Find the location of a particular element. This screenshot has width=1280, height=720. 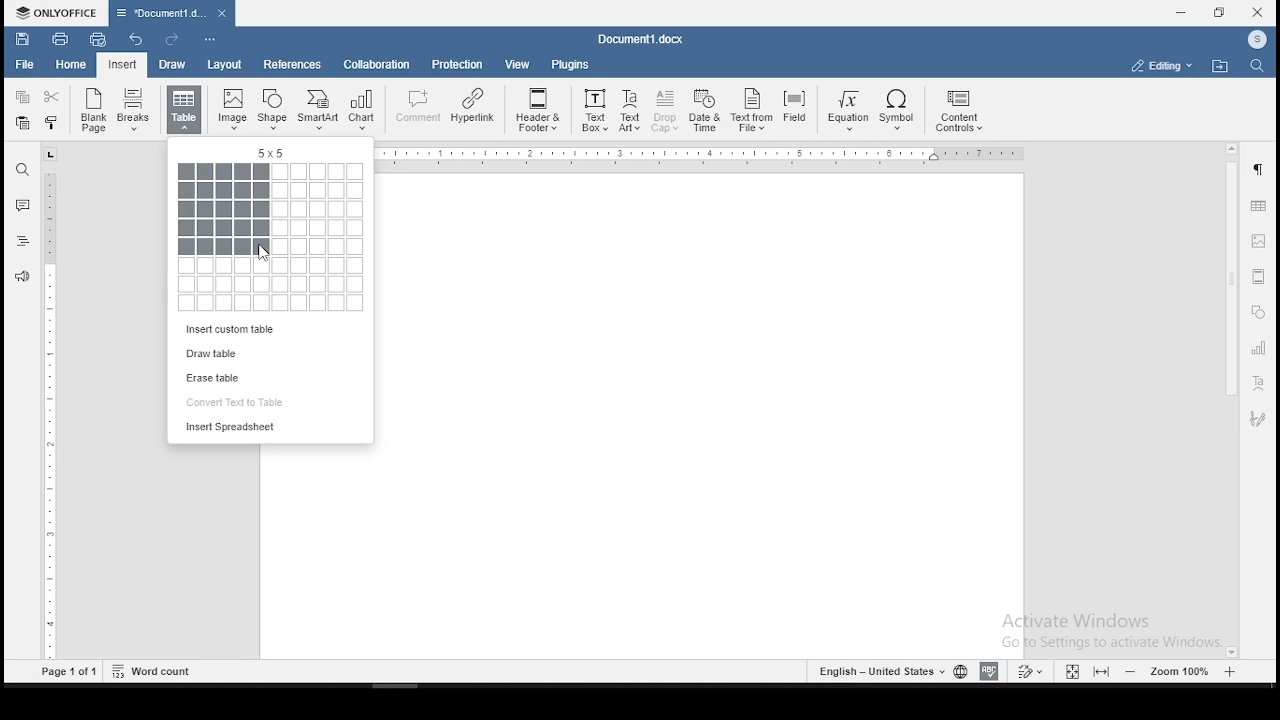

comment is located at coordinates (416, 106).